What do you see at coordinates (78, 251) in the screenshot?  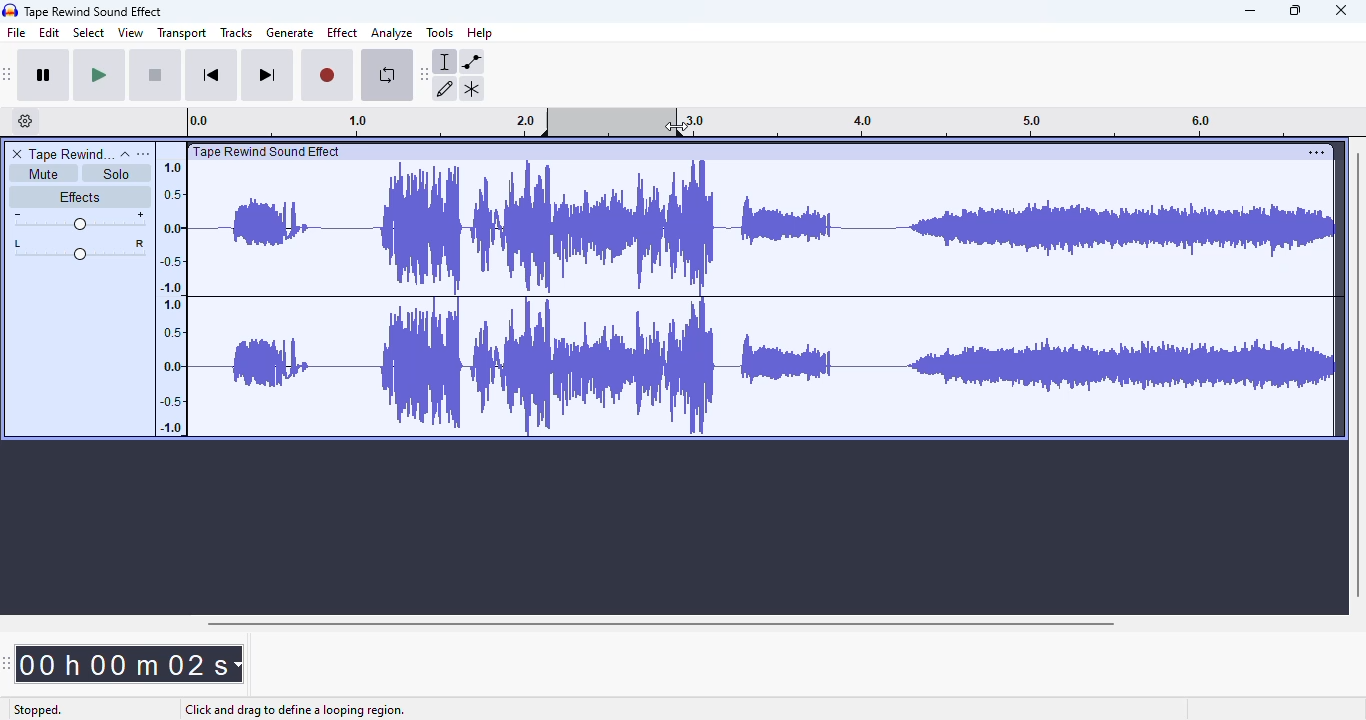 I see `pan` at bounding box center [78, 251].